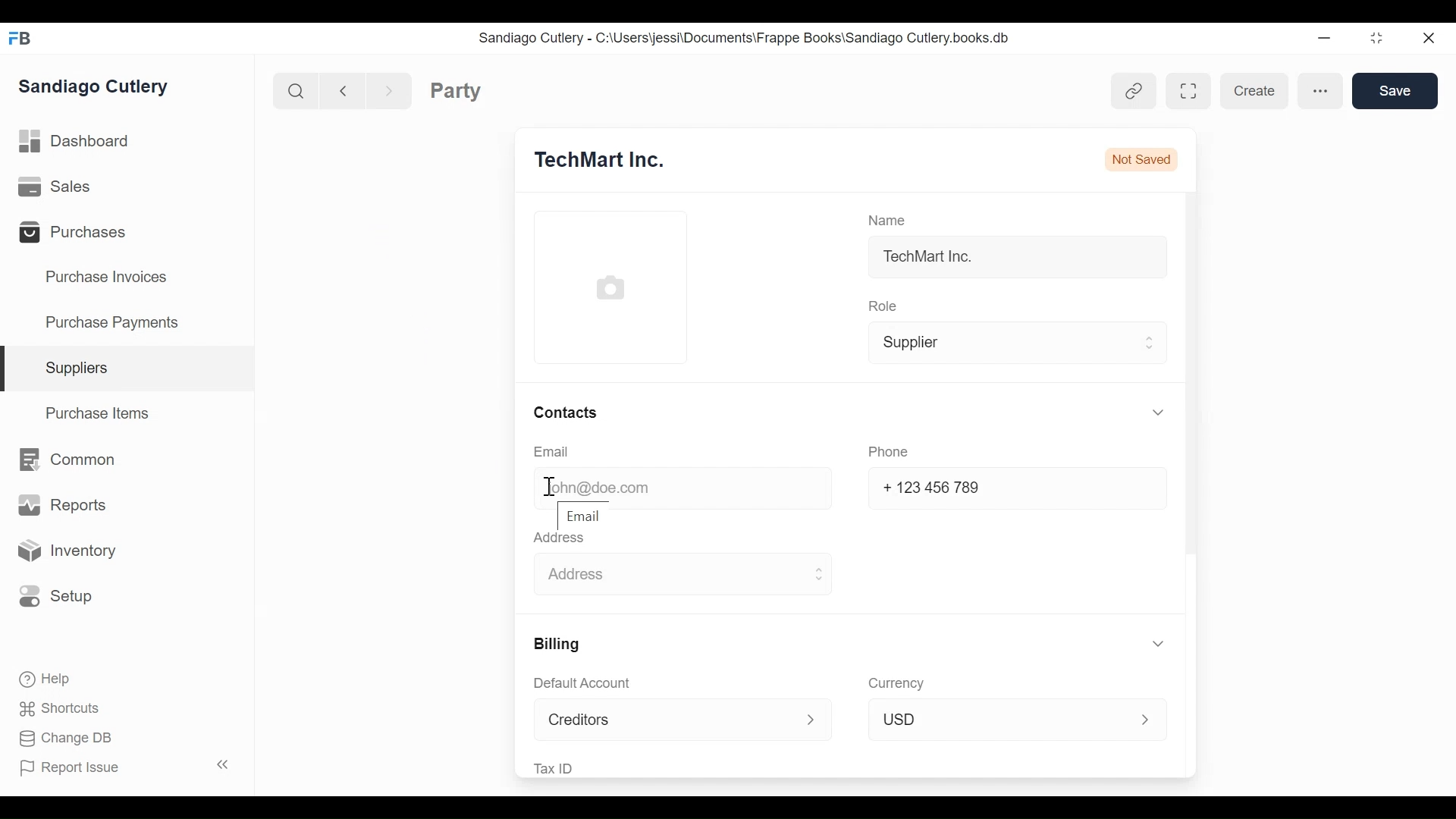 This screenshot has height=819, width=1456. I want to click on [FP Report Issue, so click(74, 772).